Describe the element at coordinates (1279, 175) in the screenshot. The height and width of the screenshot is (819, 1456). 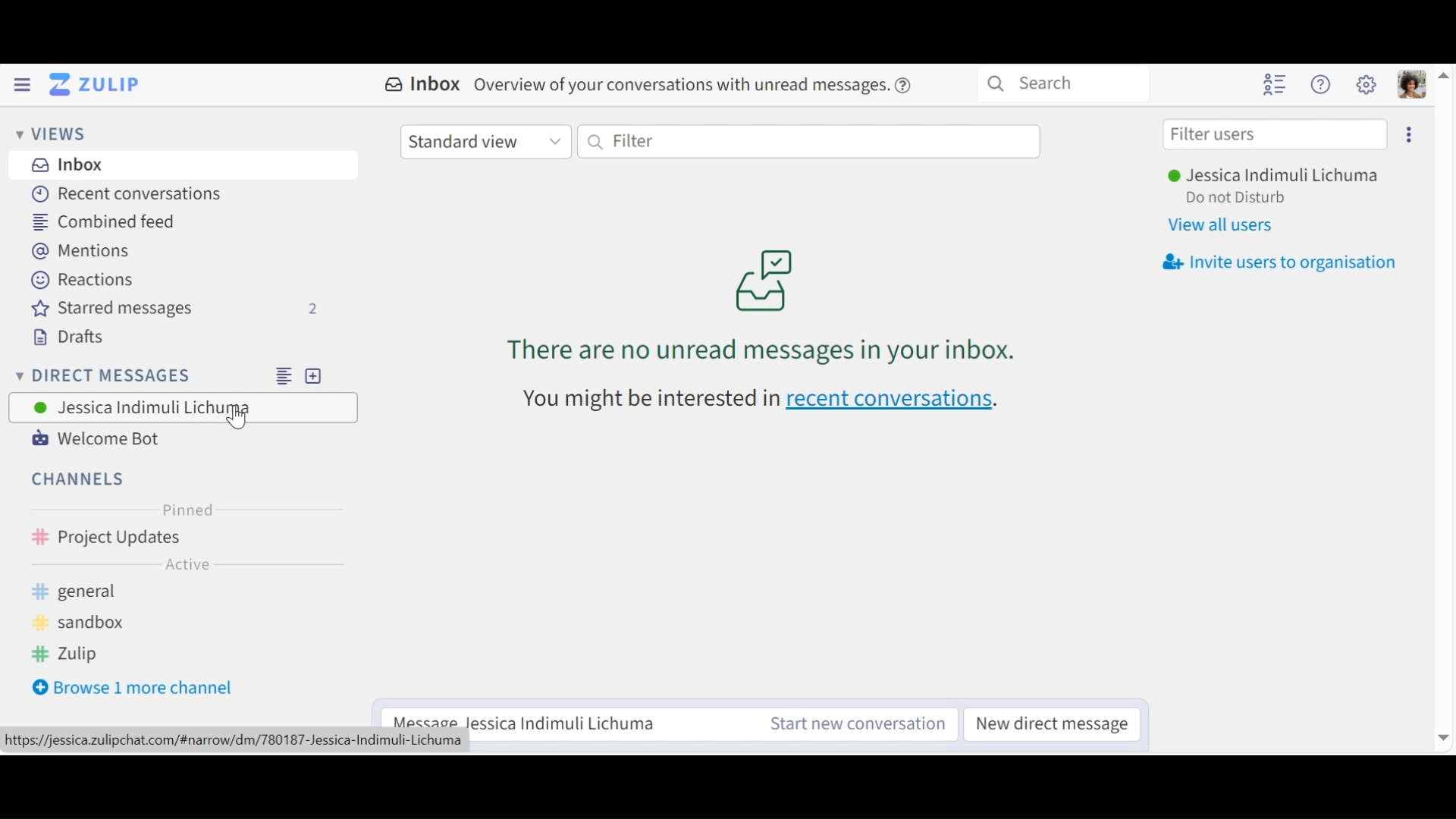
I see `User` at that location.